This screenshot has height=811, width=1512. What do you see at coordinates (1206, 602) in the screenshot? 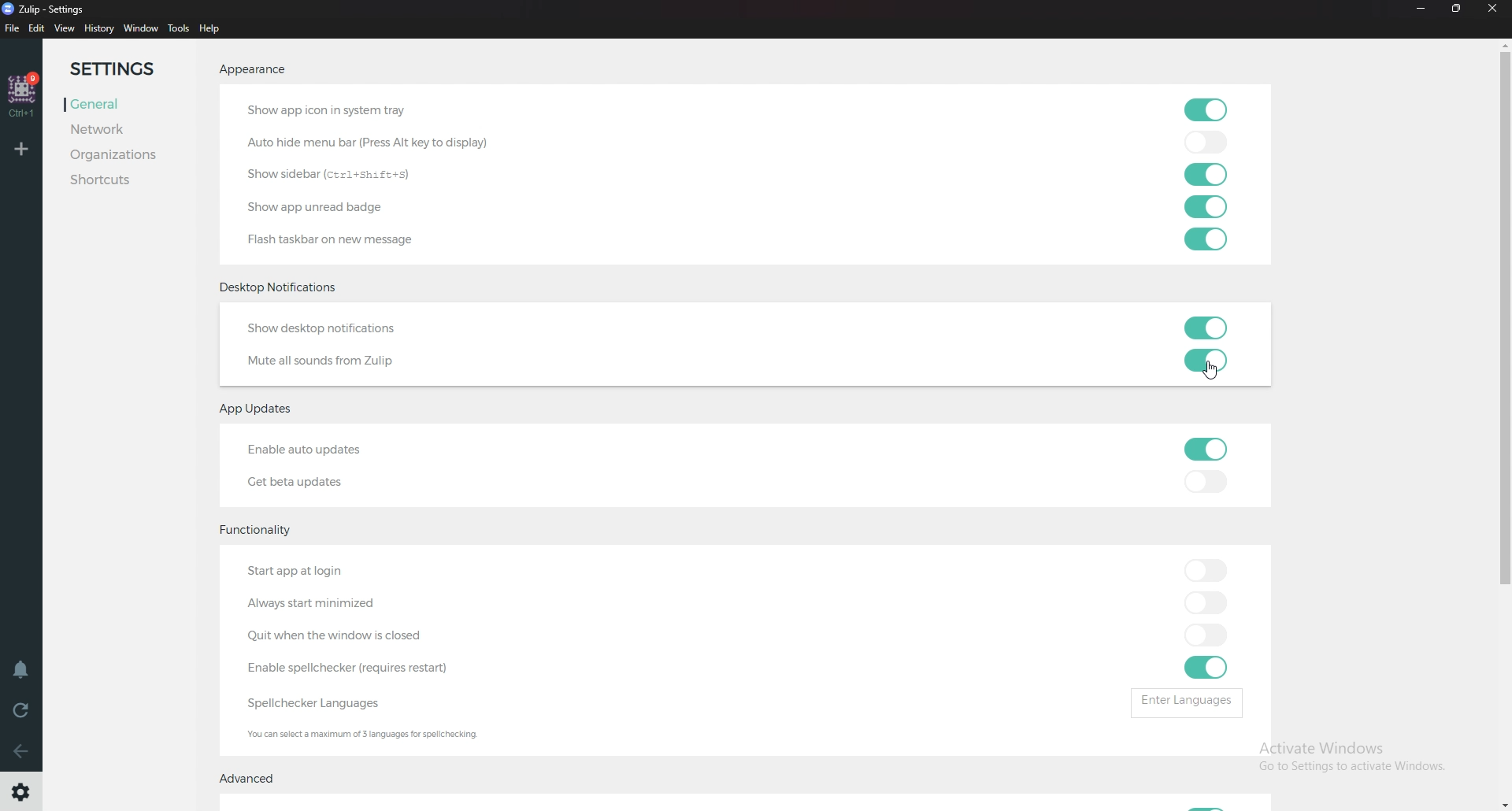
I see `toggle` at bounding box center [1206, 602].